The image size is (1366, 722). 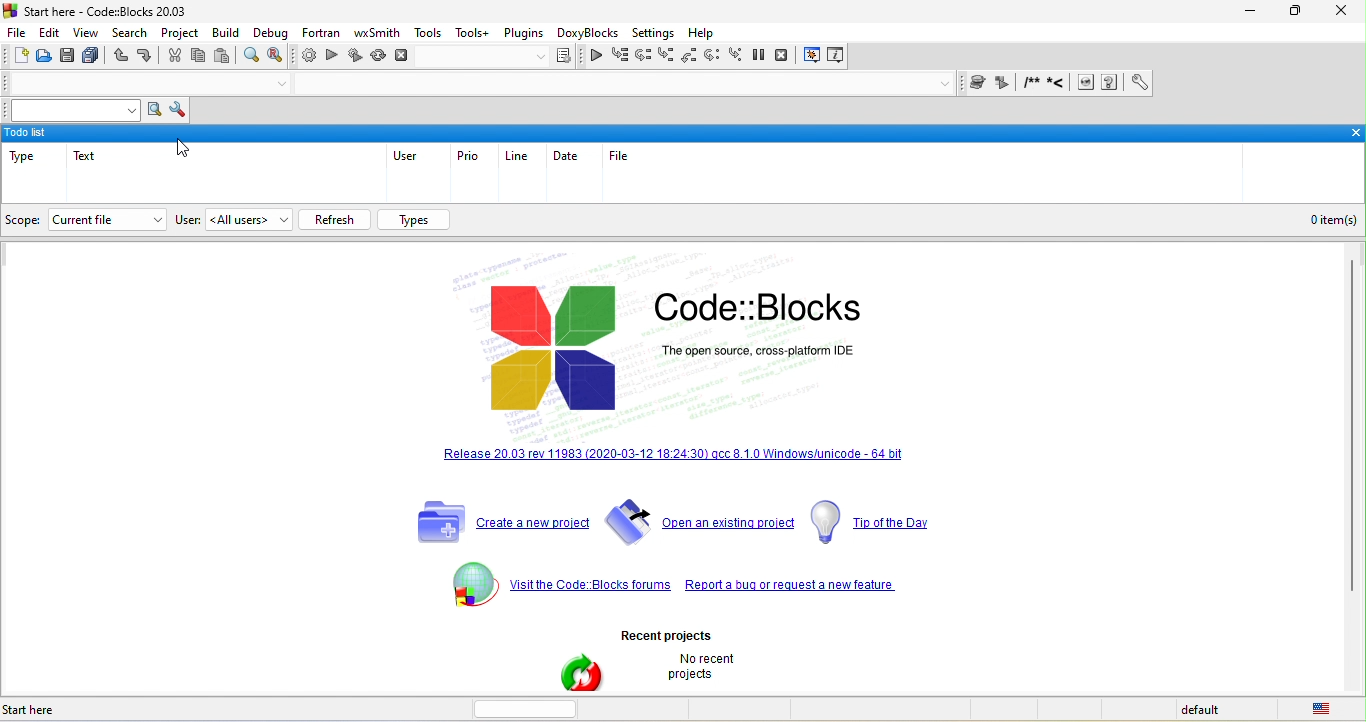 I want to click on next instruction, so click(x=716, y=57).